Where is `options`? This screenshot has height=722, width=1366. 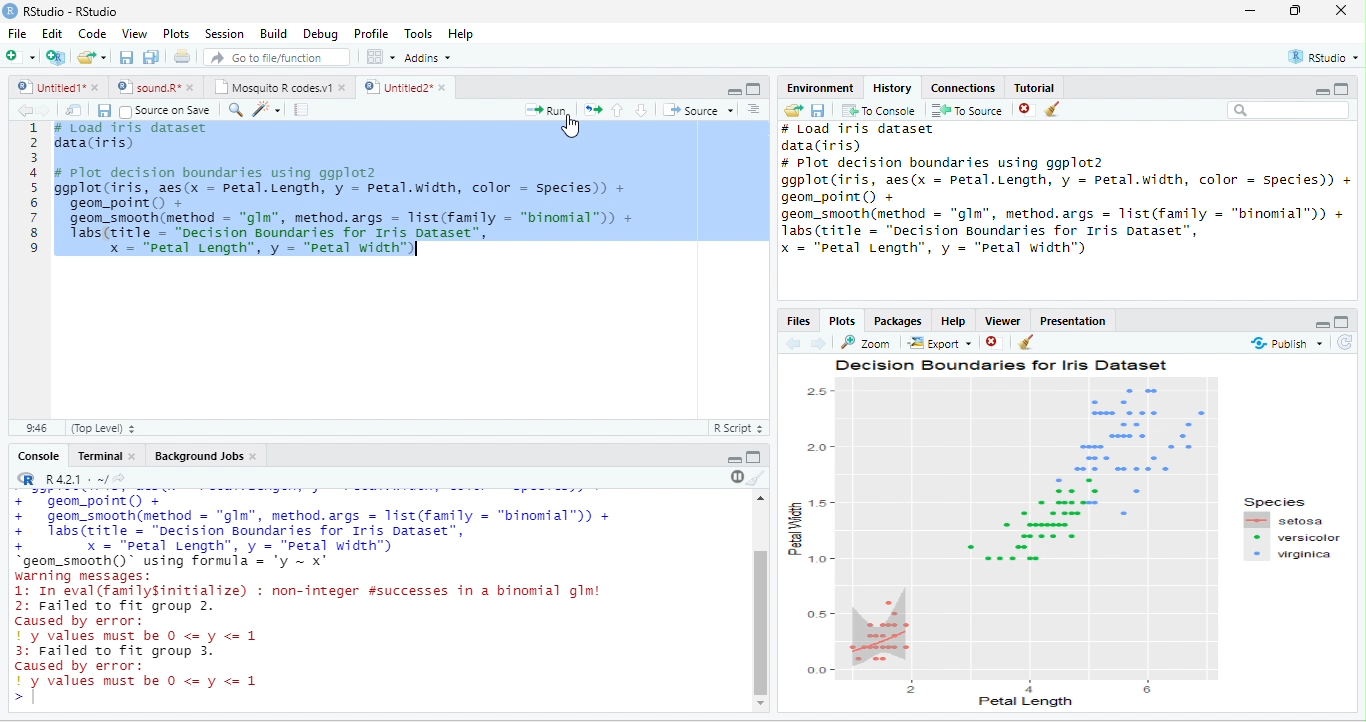 options is located at coordinates (754, 109).